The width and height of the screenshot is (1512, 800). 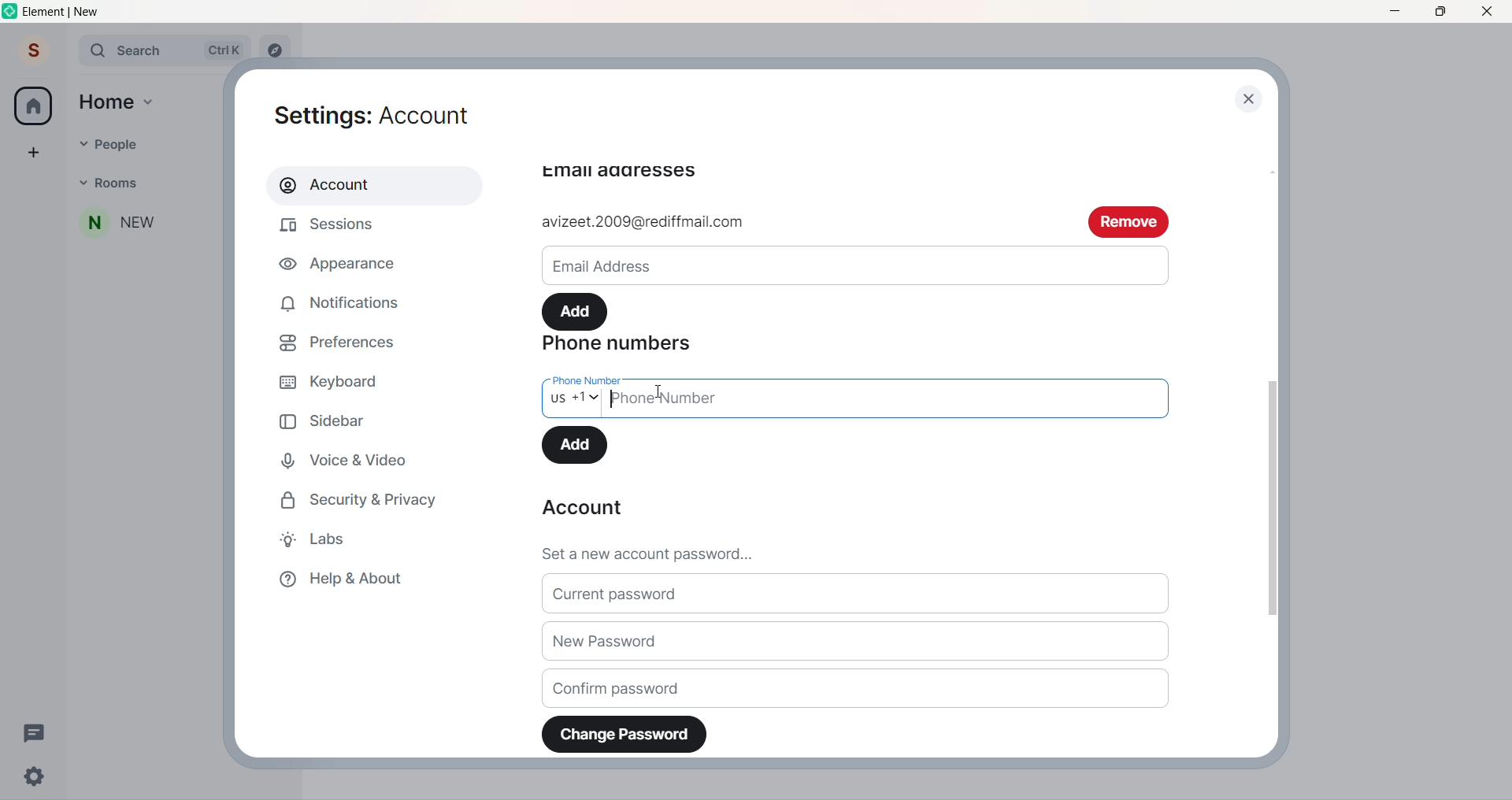 What do you see at coordinates (577, 444) in the screenshot?
I see `Add` at bounding box center [577, 444].